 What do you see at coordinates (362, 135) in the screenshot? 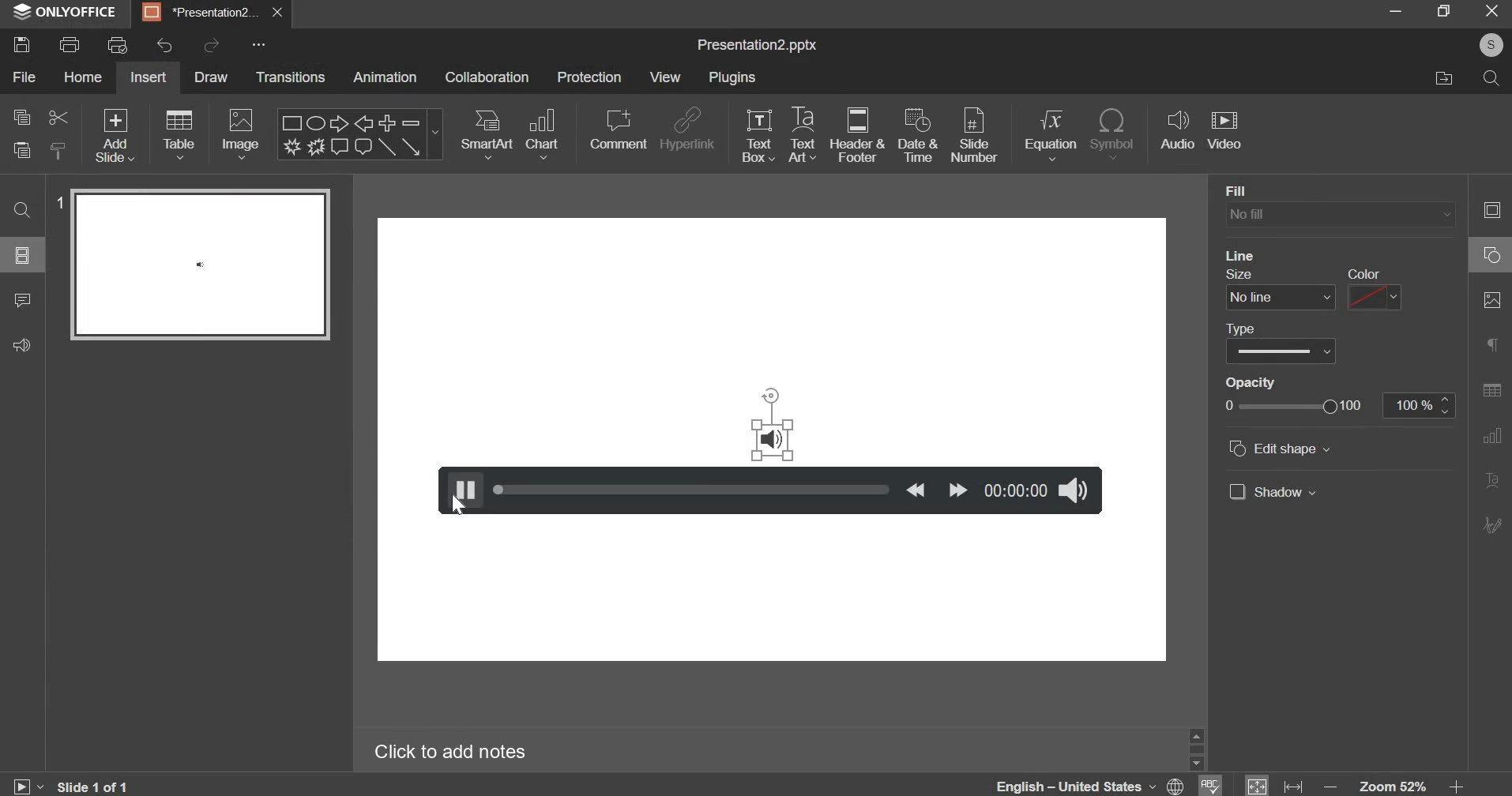
I see `shapes` at bounding box center [362, 135].